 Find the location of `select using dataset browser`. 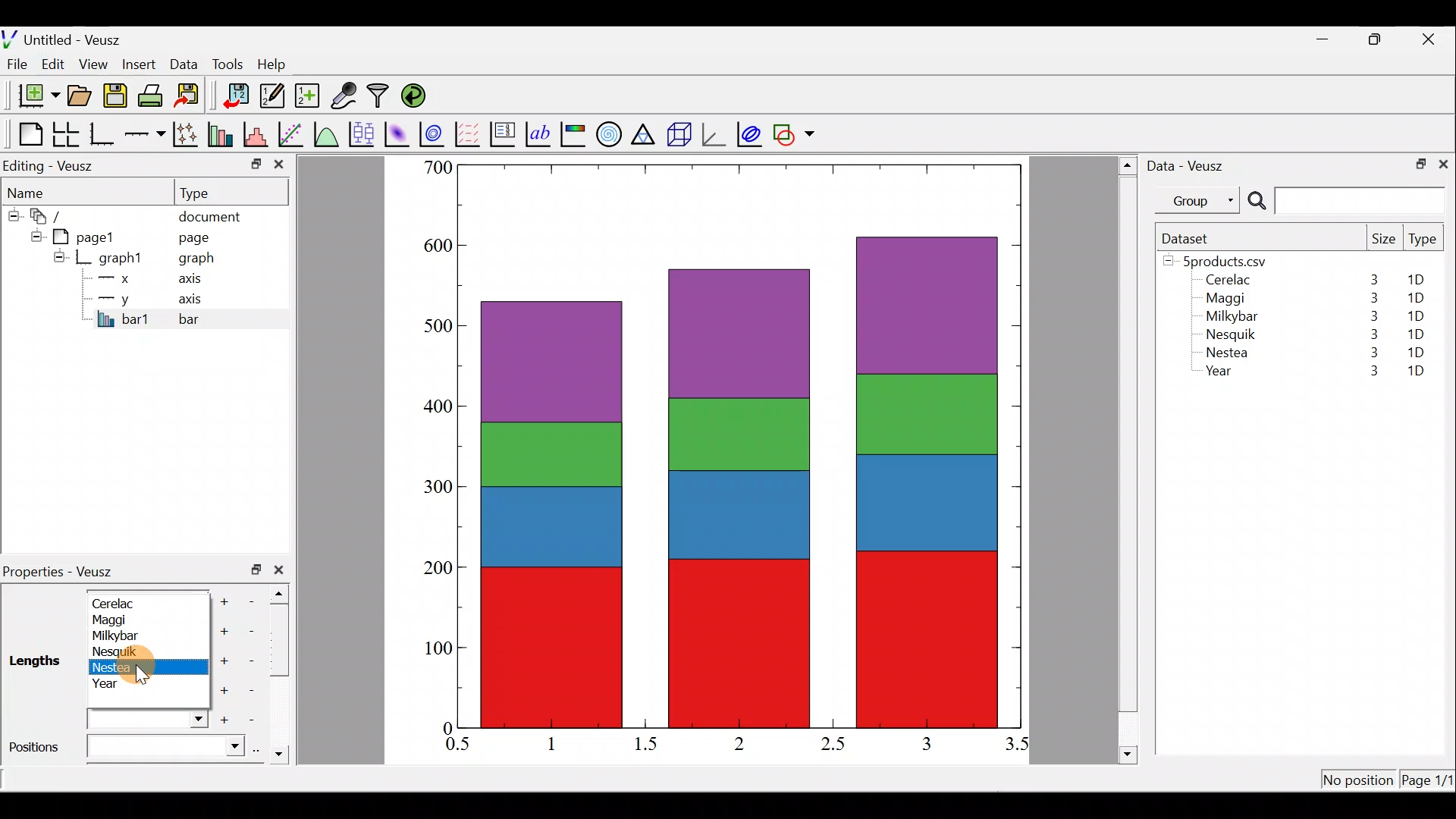

select using dataset browser is located at coordinates (260, 749).